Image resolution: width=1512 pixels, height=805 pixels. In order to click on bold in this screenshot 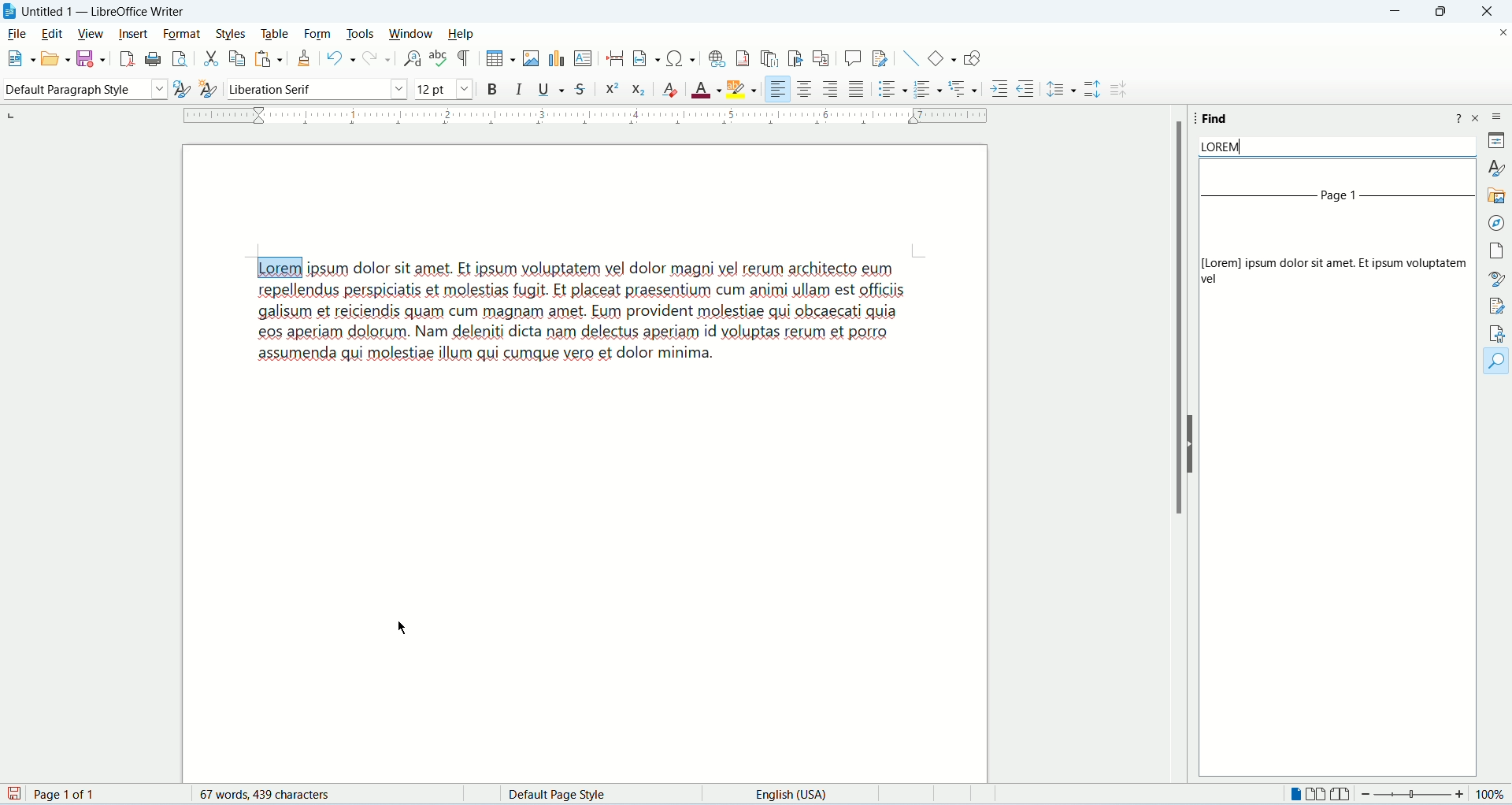, I will do `click(489, 88)`.